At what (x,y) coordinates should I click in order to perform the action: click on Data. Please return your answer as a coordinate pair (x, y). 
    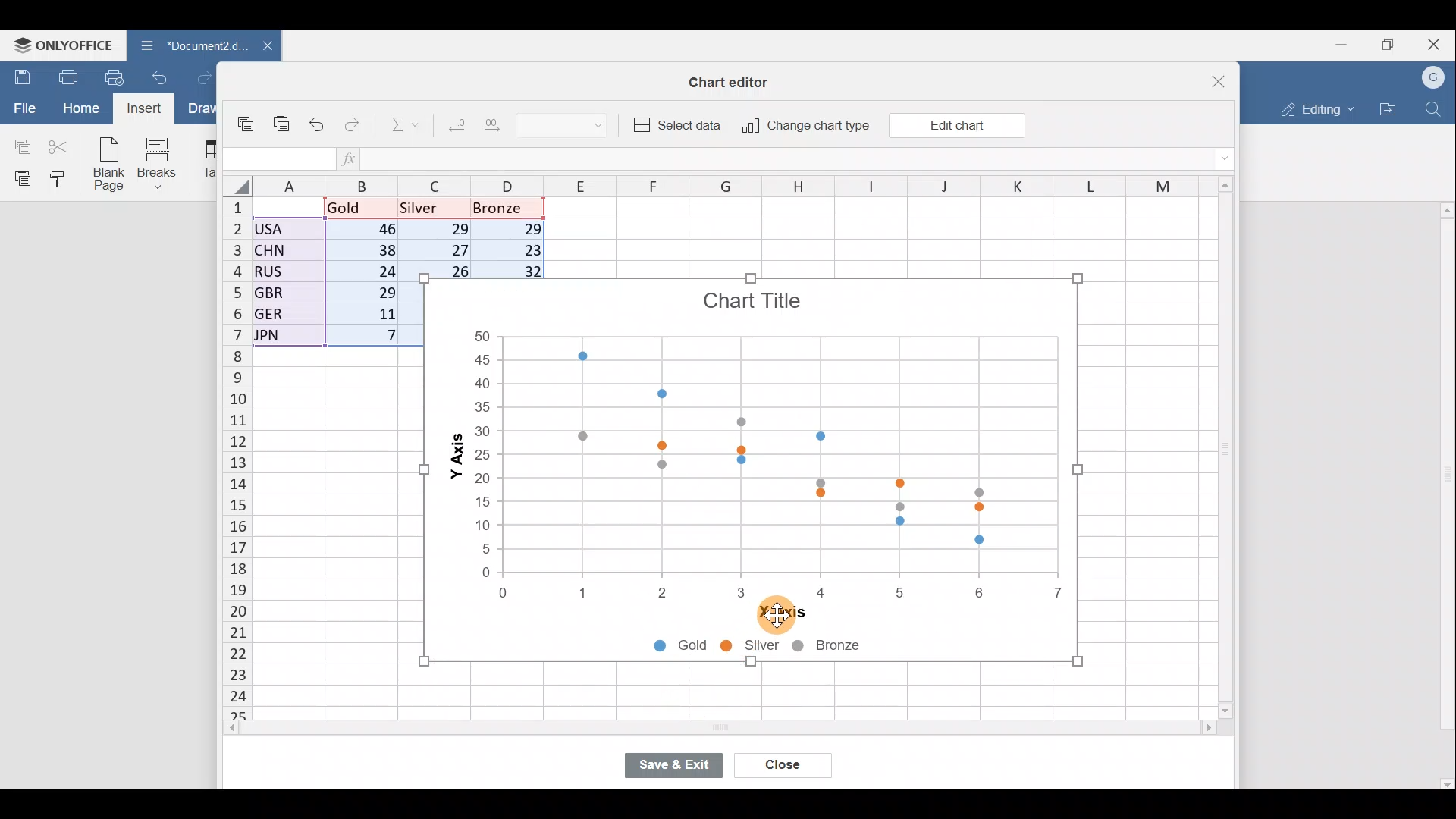
    Looking at the image, I should click on (336, 278).